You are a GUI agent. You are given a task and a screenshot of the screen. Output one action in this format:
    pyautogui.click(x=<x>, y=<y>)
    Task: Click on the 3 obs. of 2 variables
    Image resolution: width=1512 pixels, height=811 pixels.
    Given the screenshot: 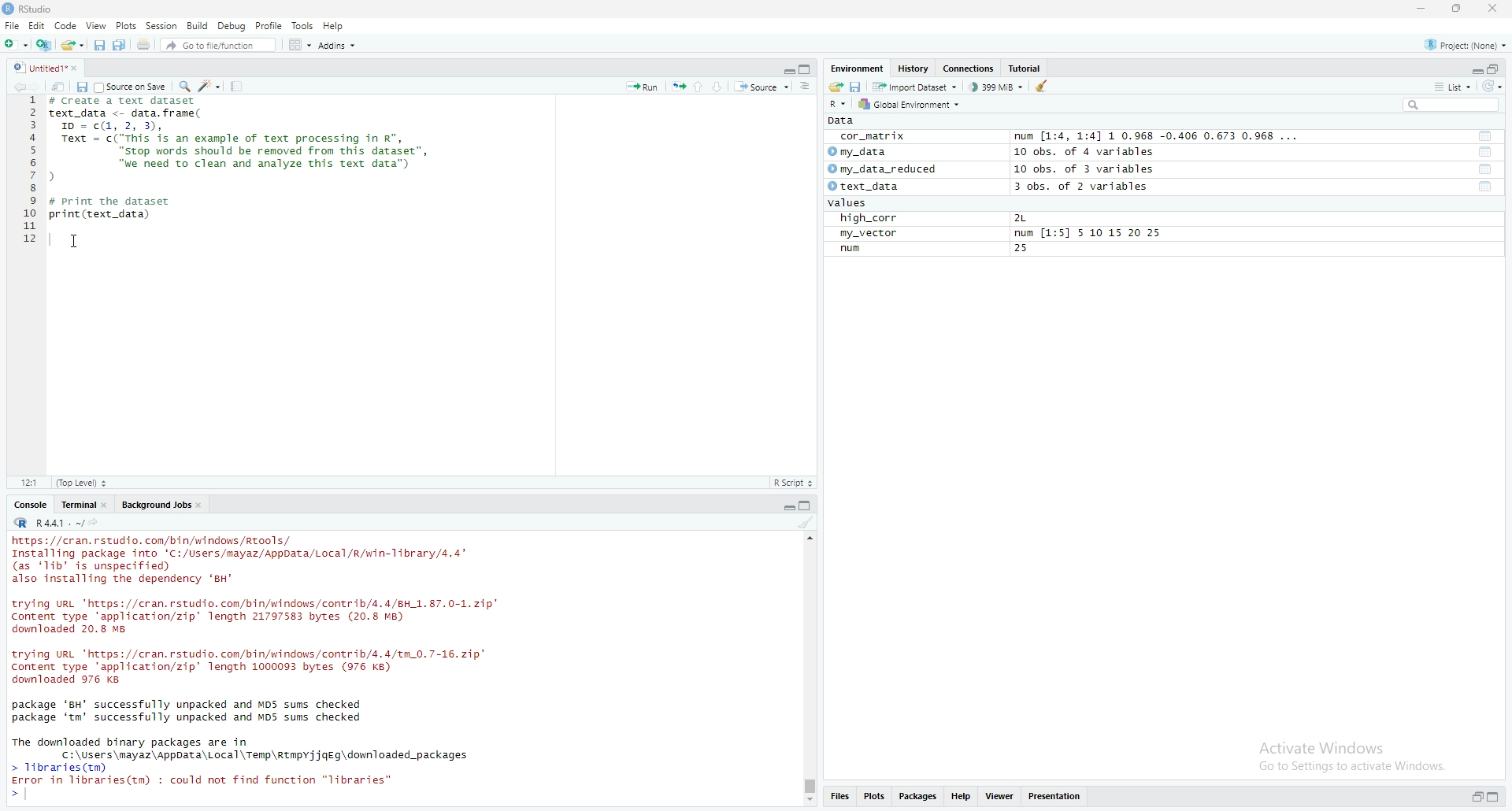 What is the action you would take?
    pyautogui.click(x=1083, y=186)
    